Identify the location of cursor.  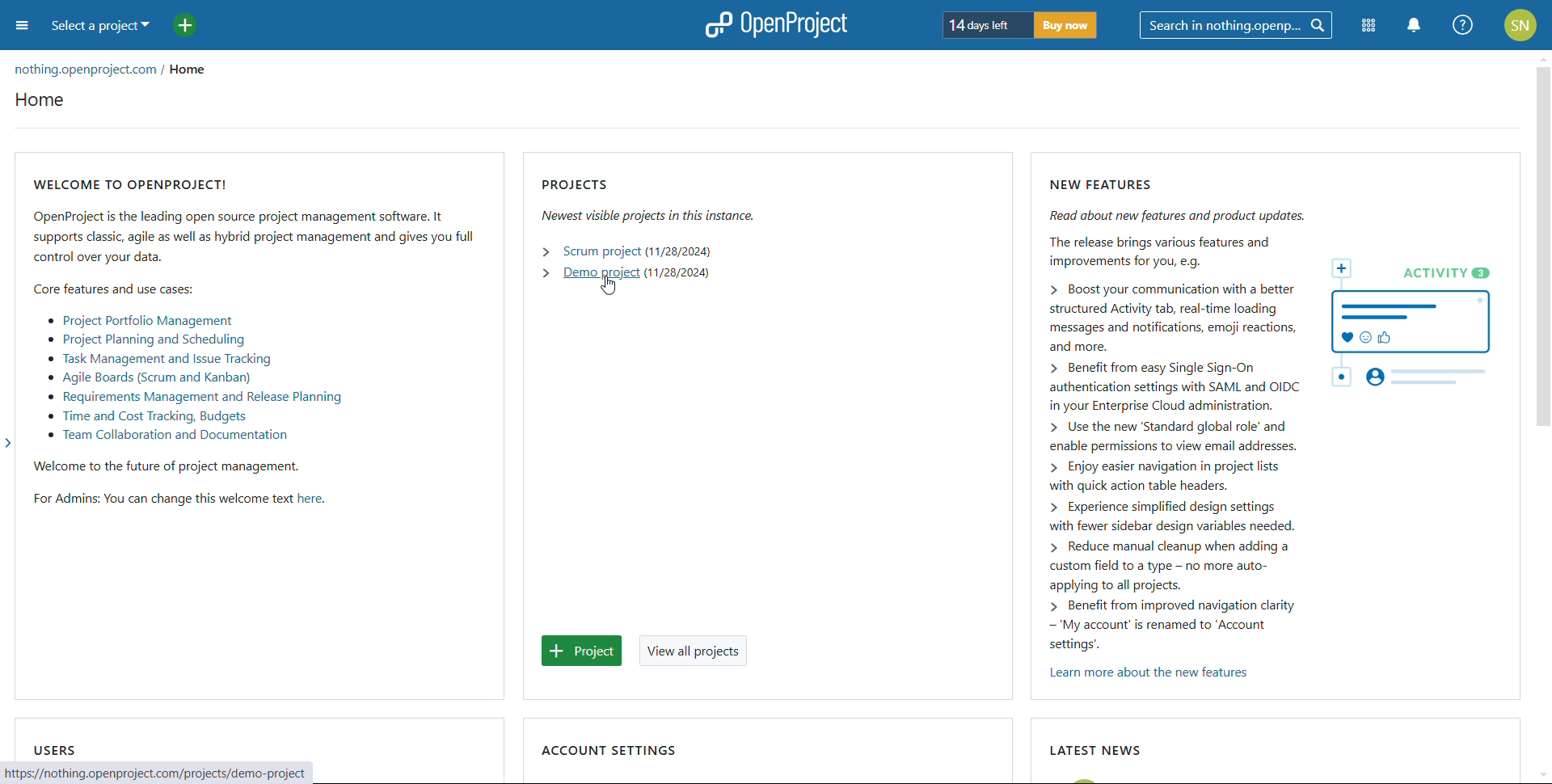
(609, 286).